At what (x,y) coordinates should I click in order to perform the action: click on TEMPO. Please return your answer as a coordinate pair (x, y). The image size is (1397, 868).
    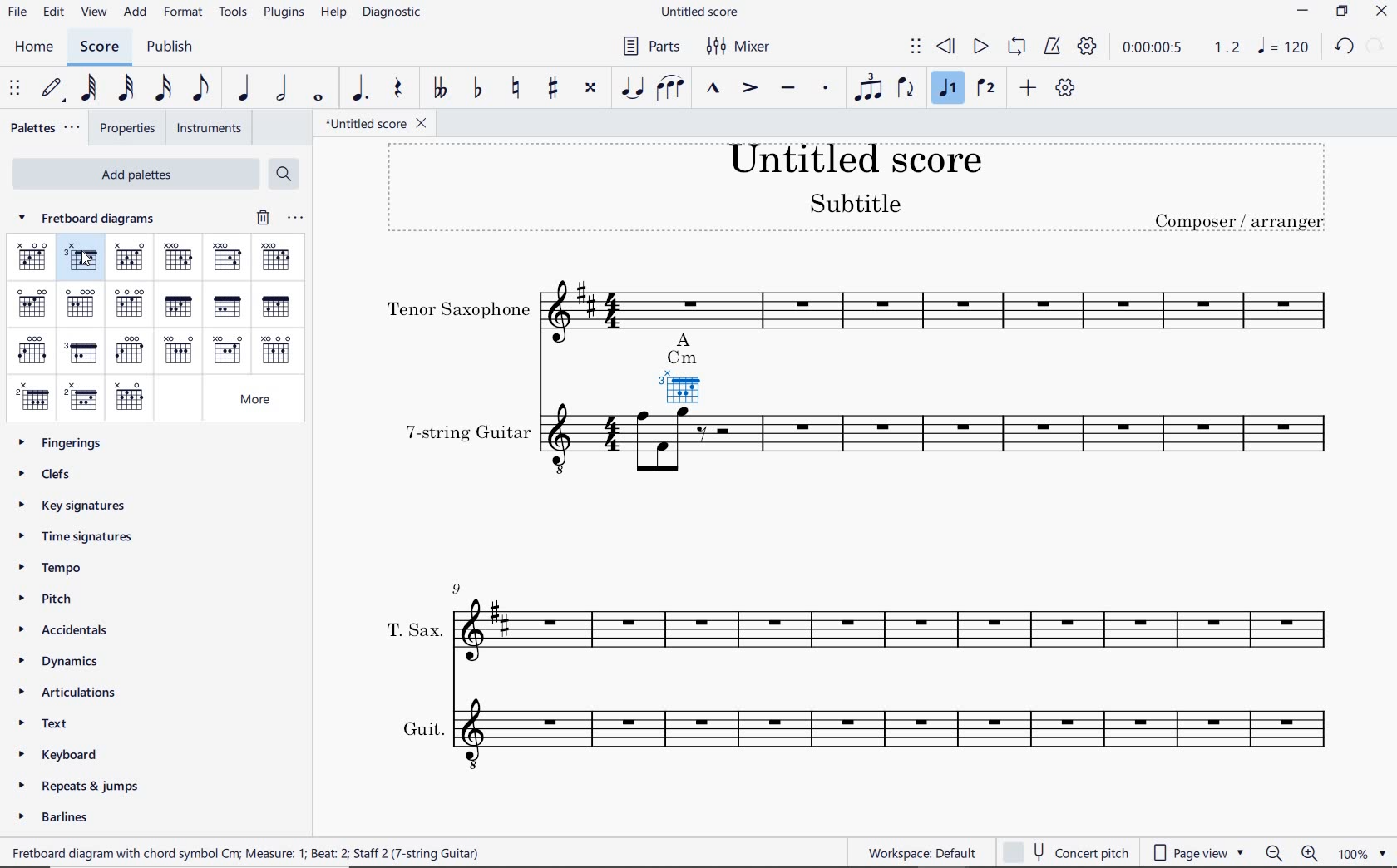
    Looking at the image, I should click on (60, 570).